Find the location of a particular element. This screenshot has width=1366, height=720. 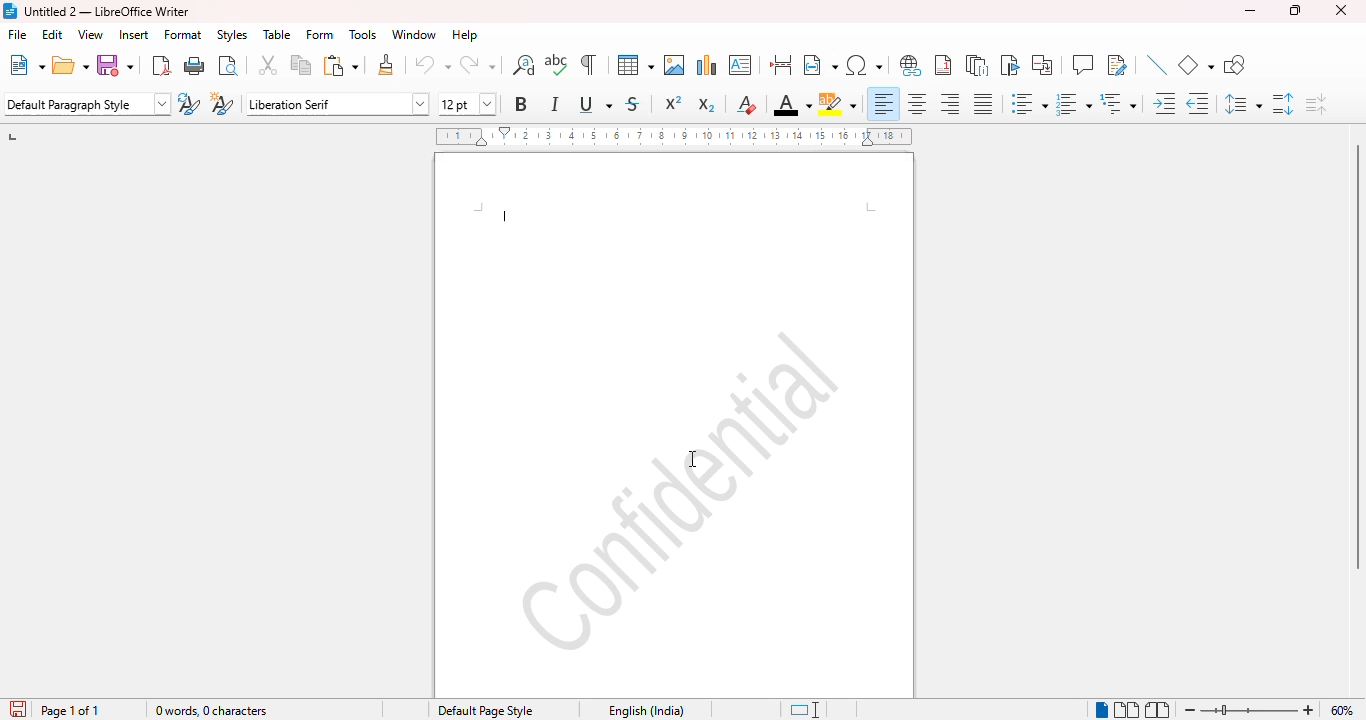

format is located at coordinates (184, 34).